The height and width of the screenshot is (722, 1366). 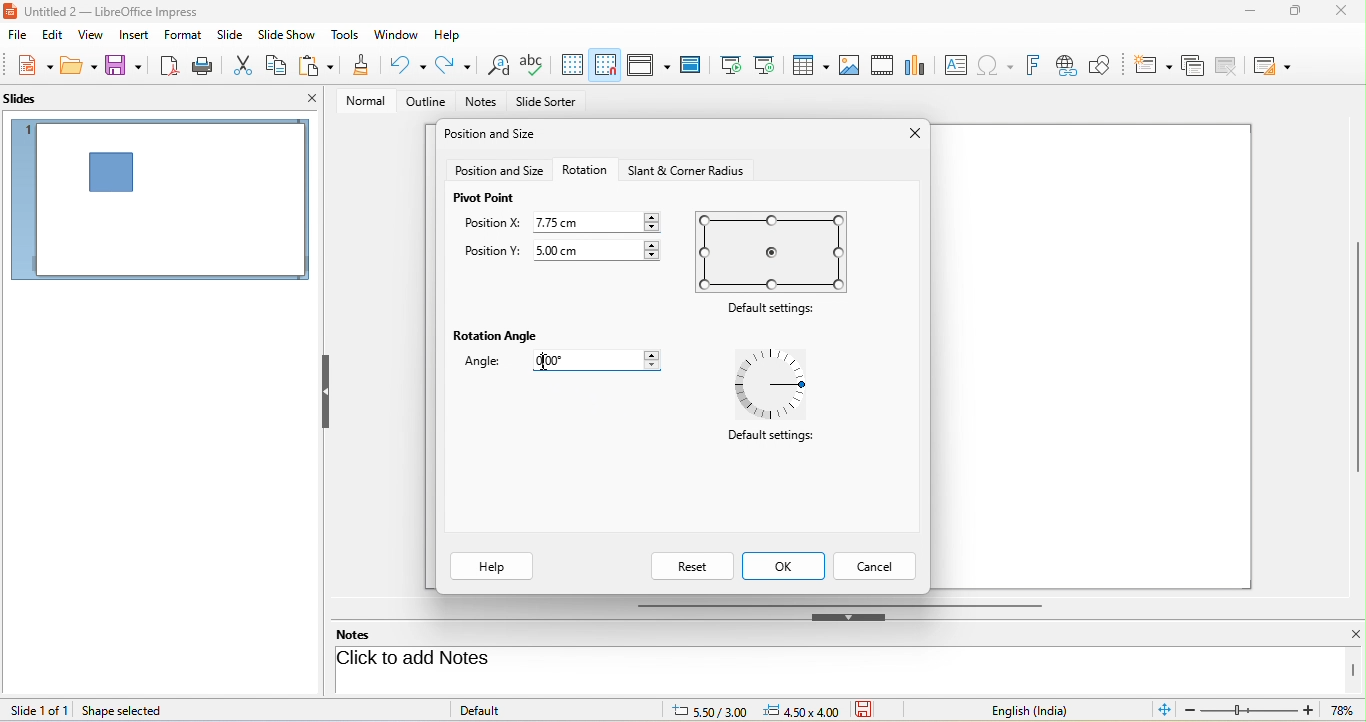 What do you see at coordinates (396, 36) in the screenshot?
I see `window` at bounding box center [396, 36].